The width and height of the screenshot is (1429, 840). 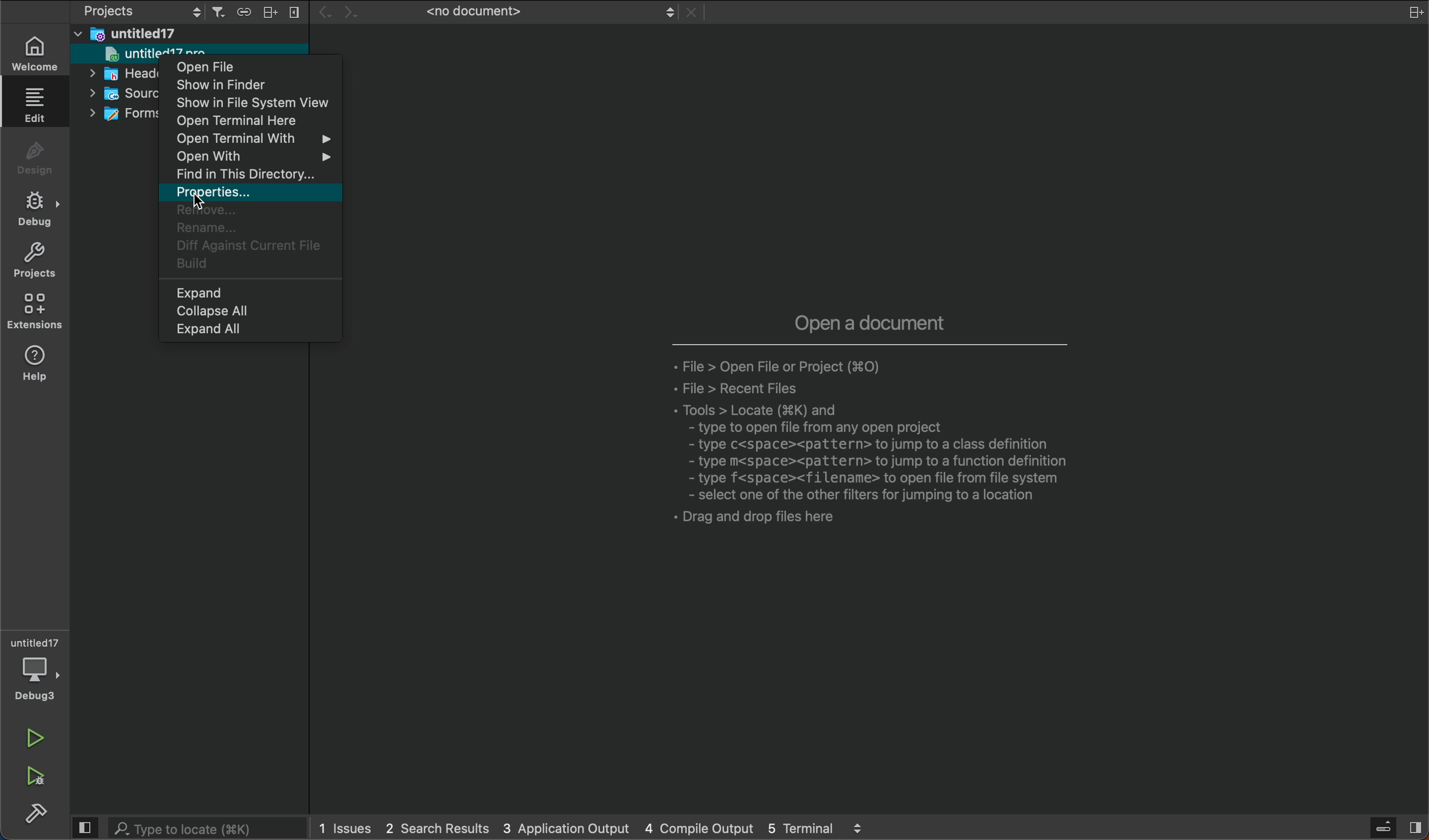 What do you see at coordinates (38, 667) in the screenshot?
I see `debugger` at bounding box center [38, 667].